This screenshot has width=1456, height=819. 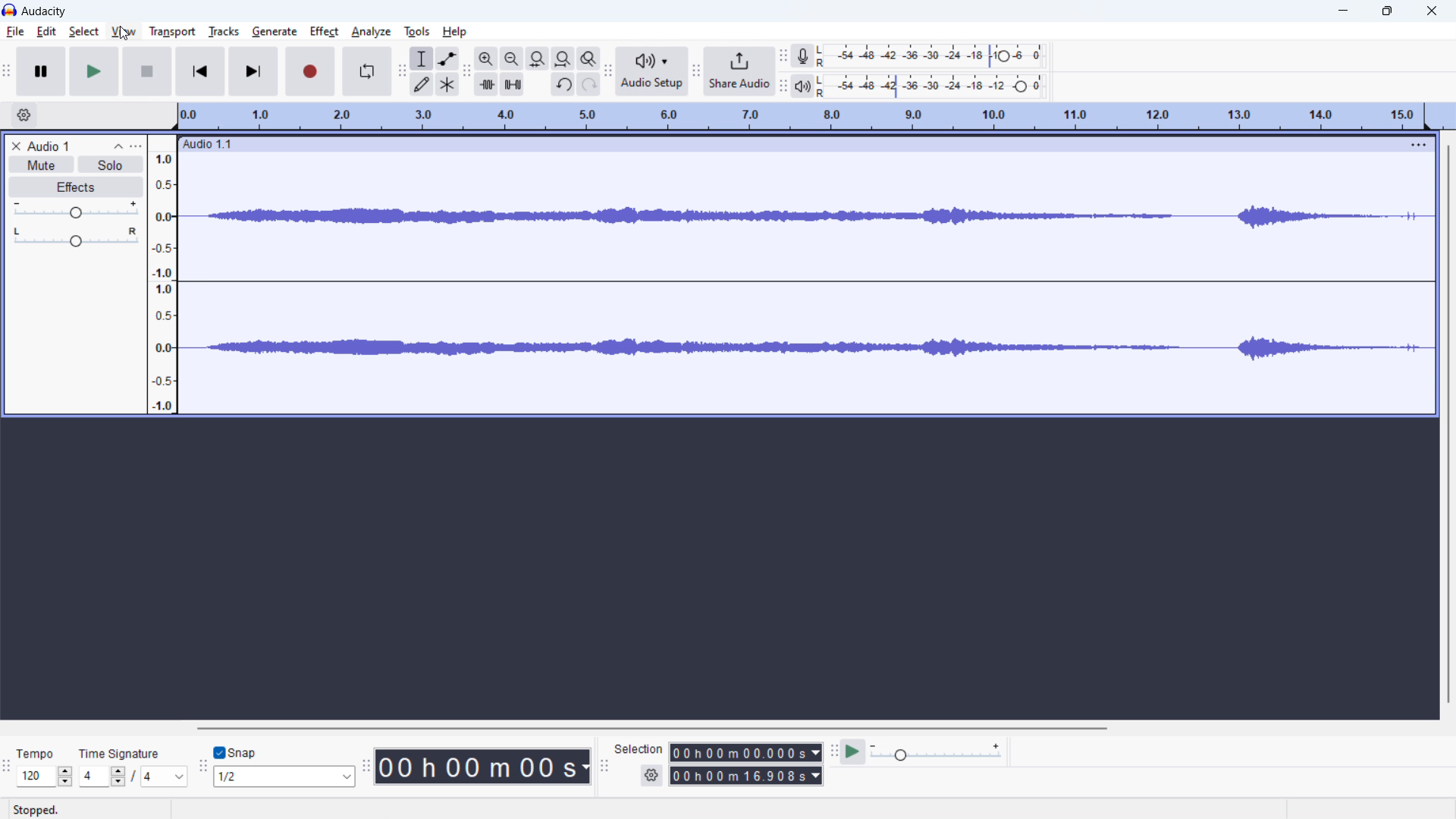 I want to click on share audio, so click(x=739, y=71).